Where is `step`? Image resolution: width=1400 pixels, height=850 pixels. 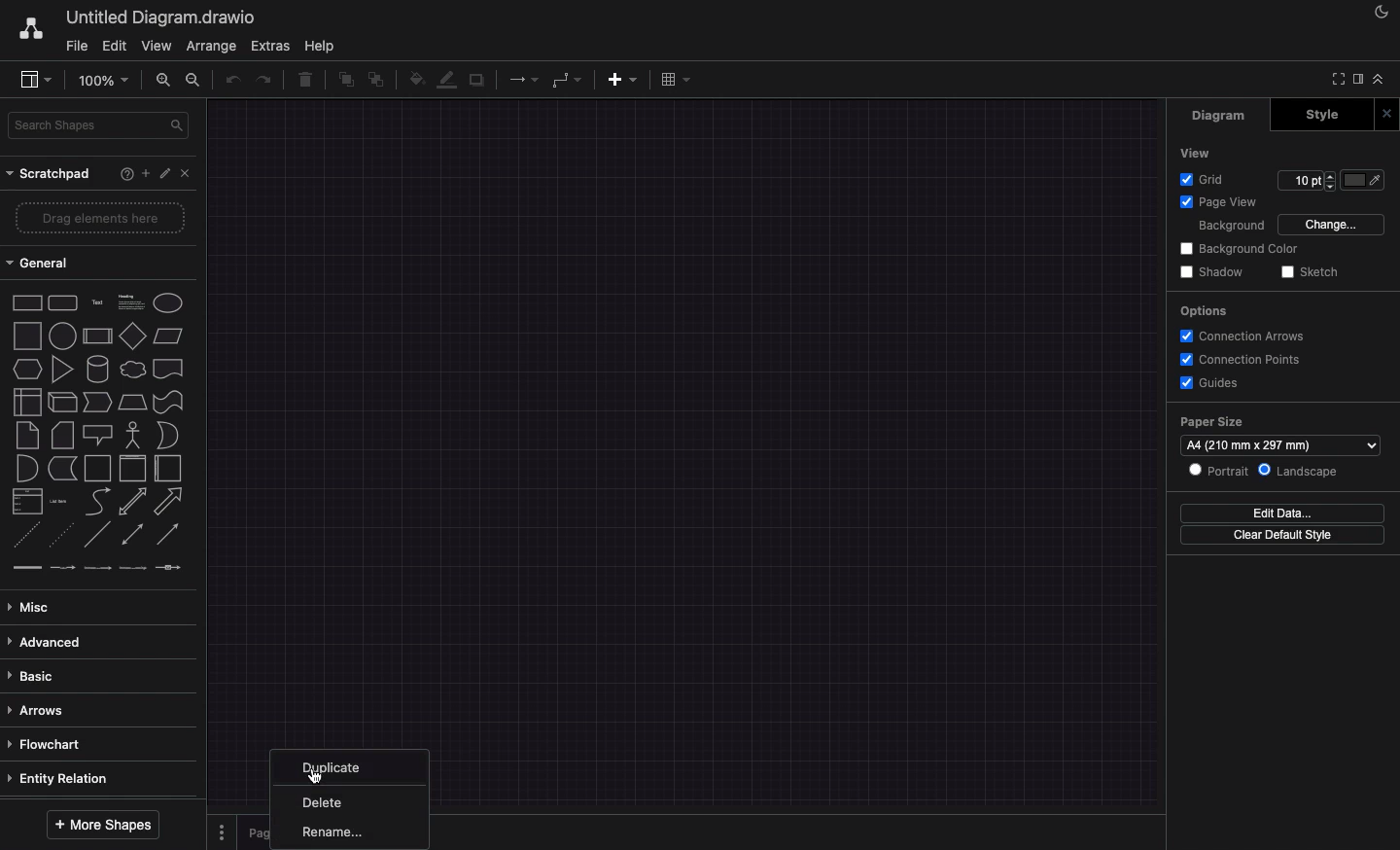
step is located at coordinates (98, 402).